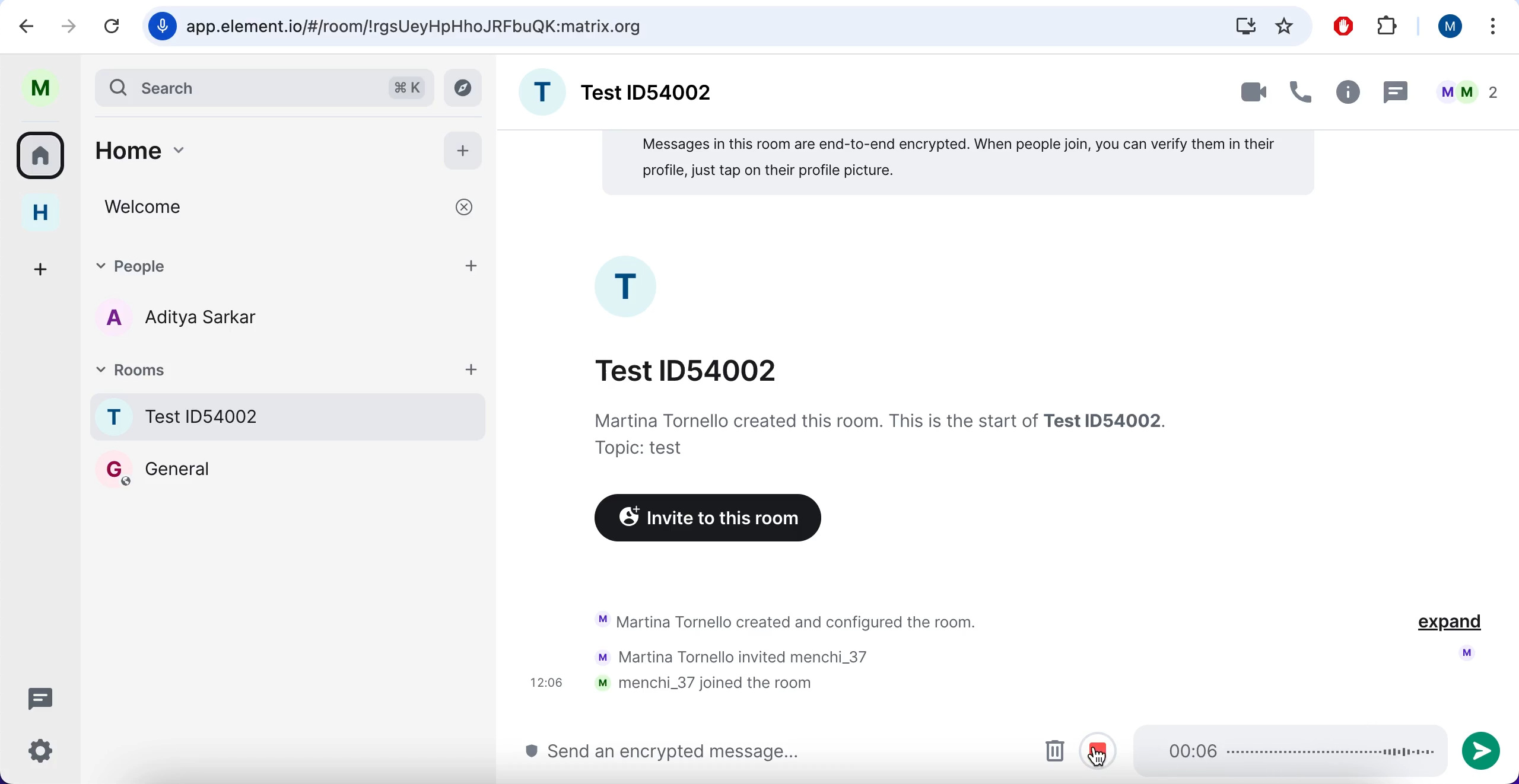 The width and height of the screenshot is (1519, 784). I want to click on delete, so click(1053, 751).